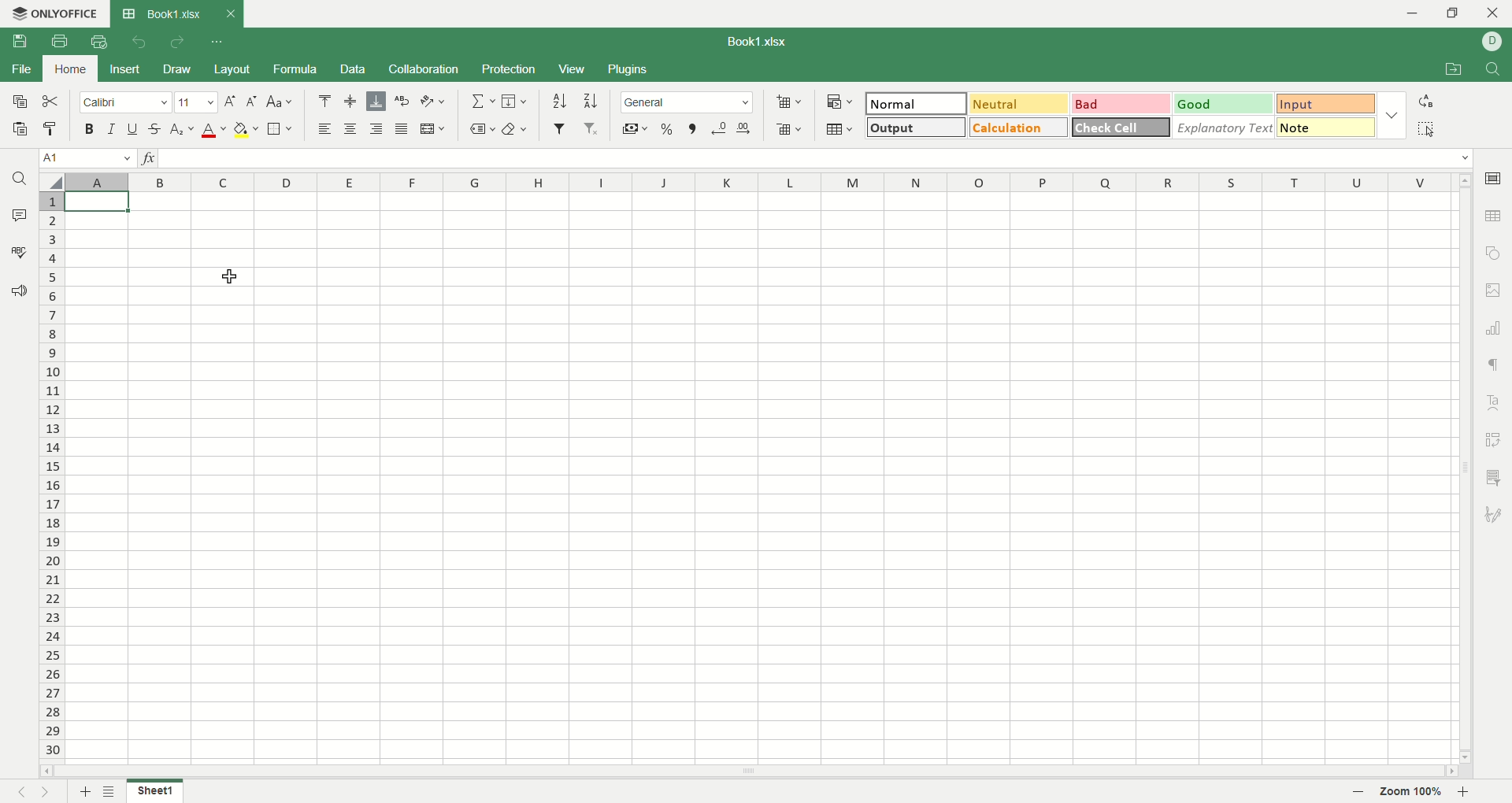 The image size is (1512, 803). Describe the element at coordinates (1494, 15) in the screenshot. I see `close` at that location.